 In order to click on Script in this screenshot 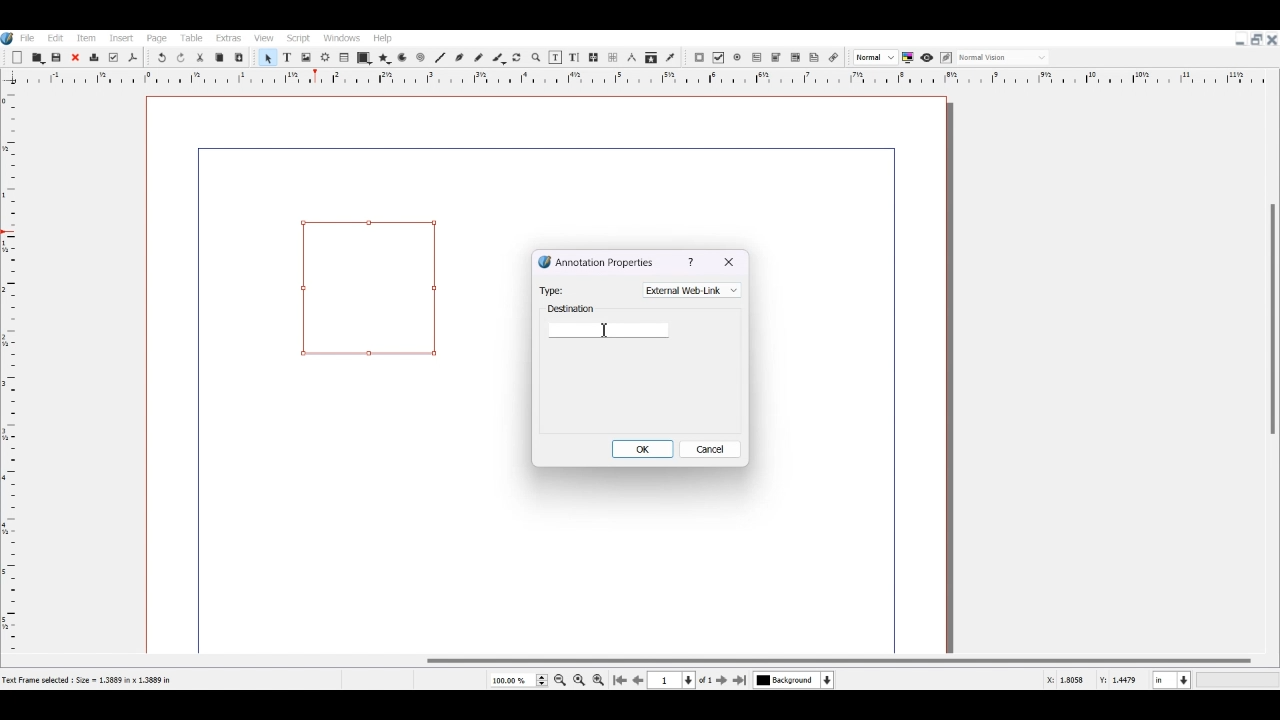, I will do `click(300, 37)`.